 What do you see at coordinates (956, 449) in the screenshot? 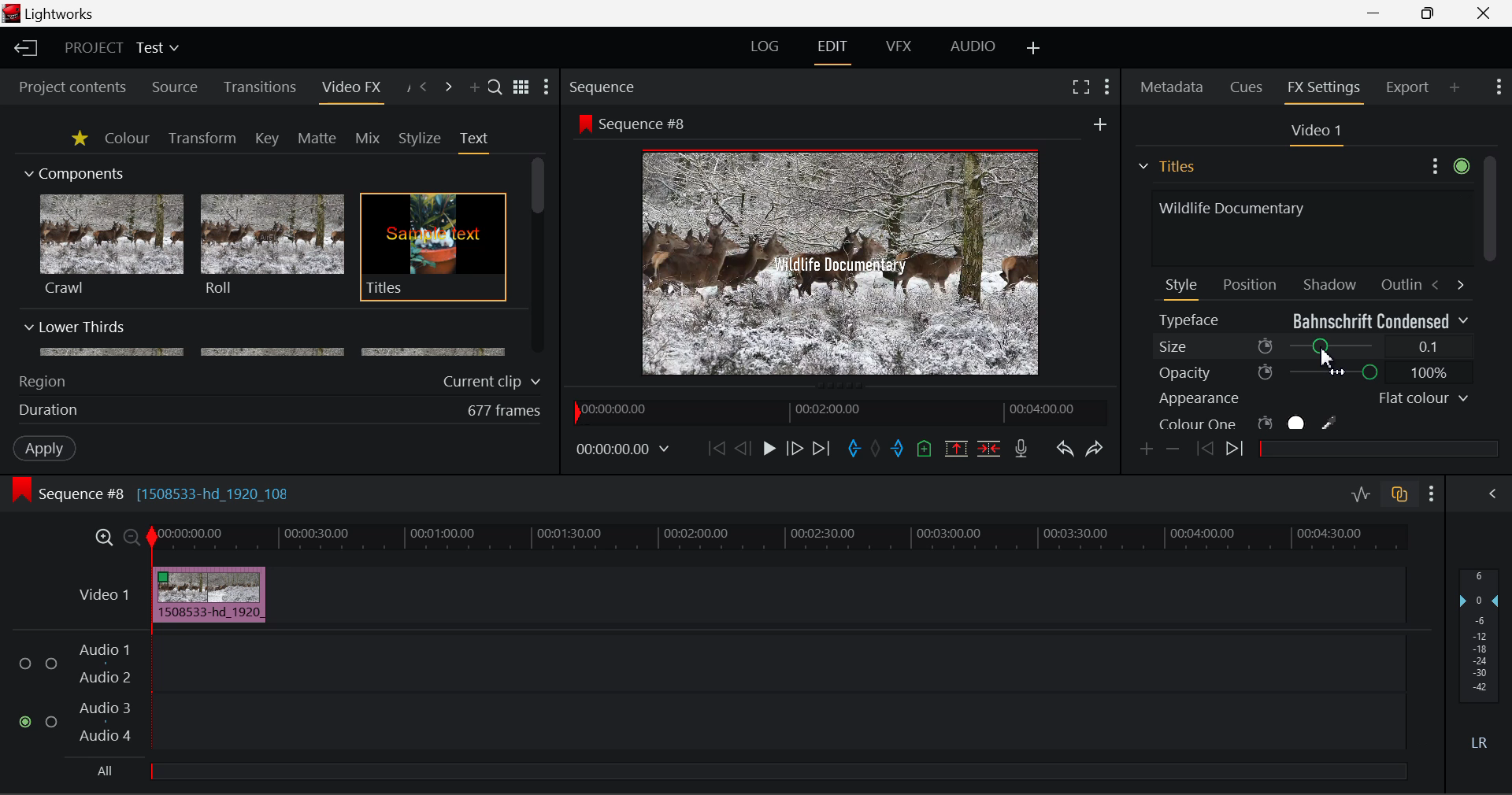
I see `Remove Marked Section` at bounding box center [956, 449].